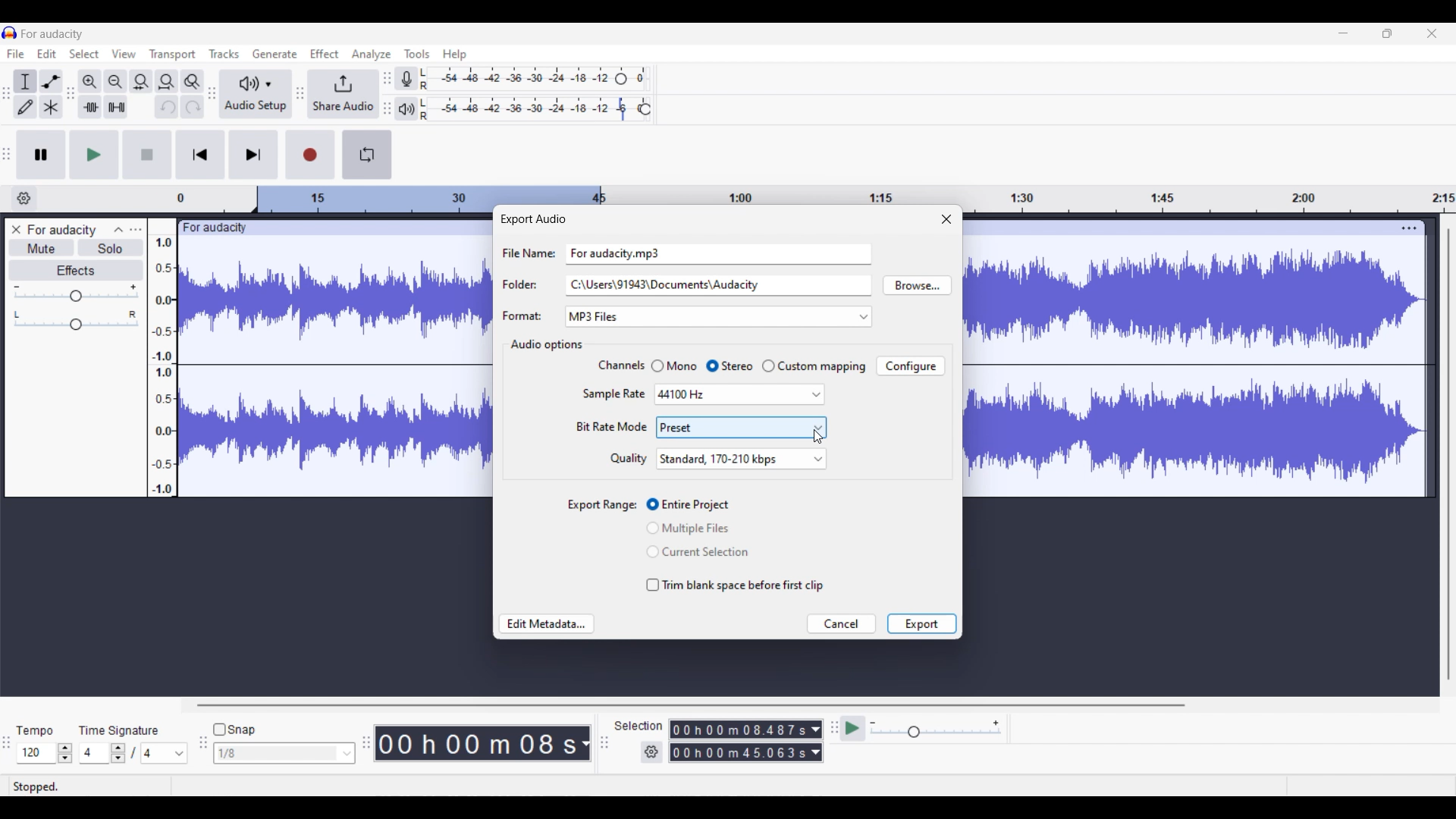  I want to click on Zoom toggle, so click(192, 82).